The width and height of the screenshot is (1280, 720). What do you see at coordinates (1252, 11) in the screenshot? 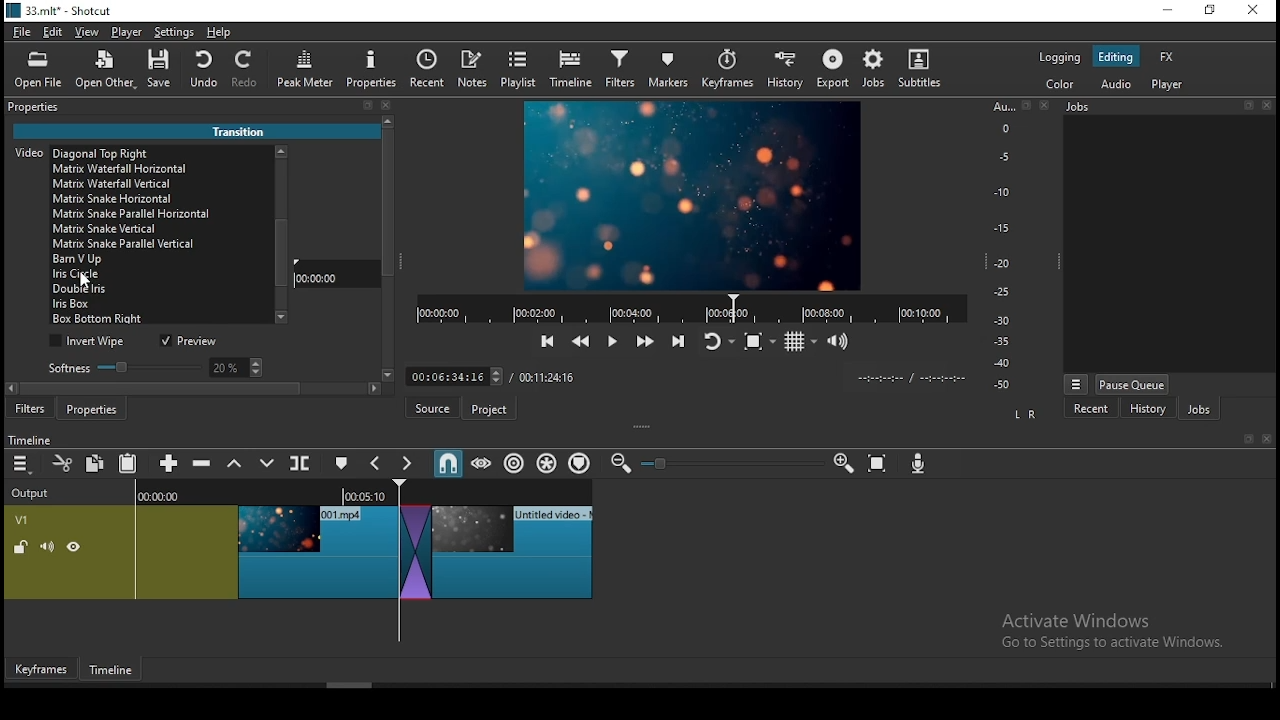
I see `close window` at bounding box center [1252, 11].